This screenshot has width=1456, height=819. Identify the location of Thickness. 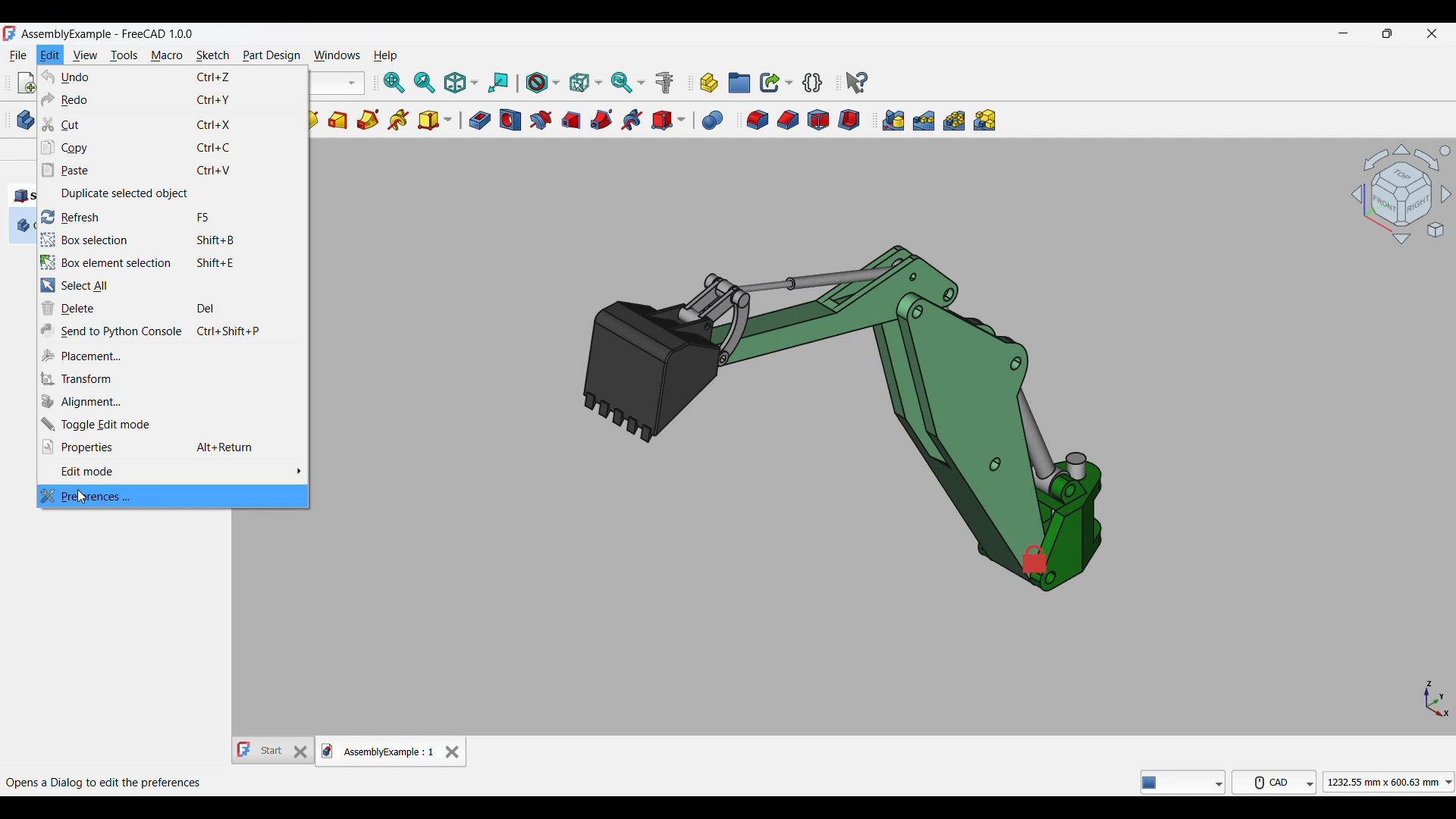
(849, 120).